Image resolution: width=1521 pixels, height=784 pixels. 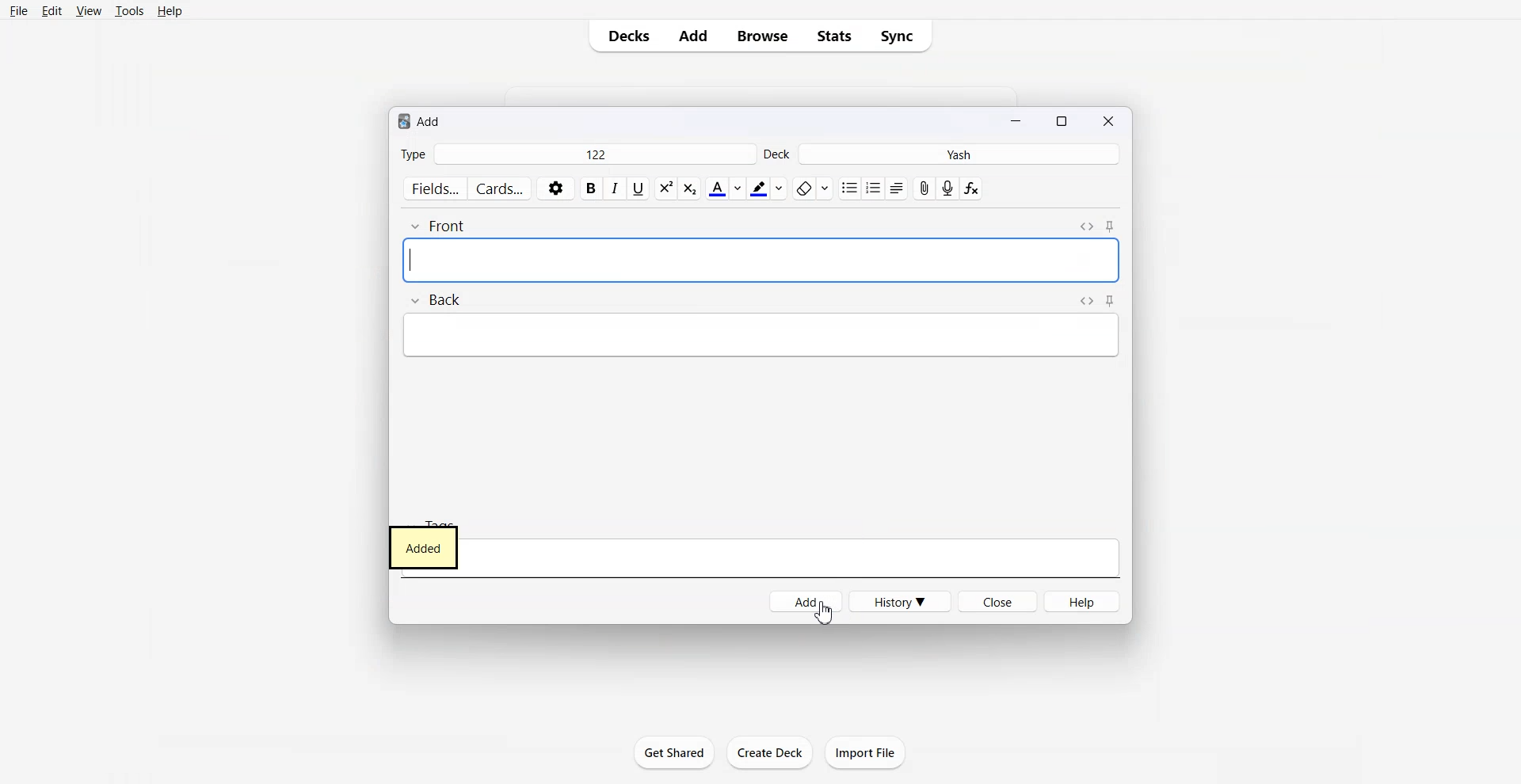 I want to click on Yash, so click(x=961, y=152).